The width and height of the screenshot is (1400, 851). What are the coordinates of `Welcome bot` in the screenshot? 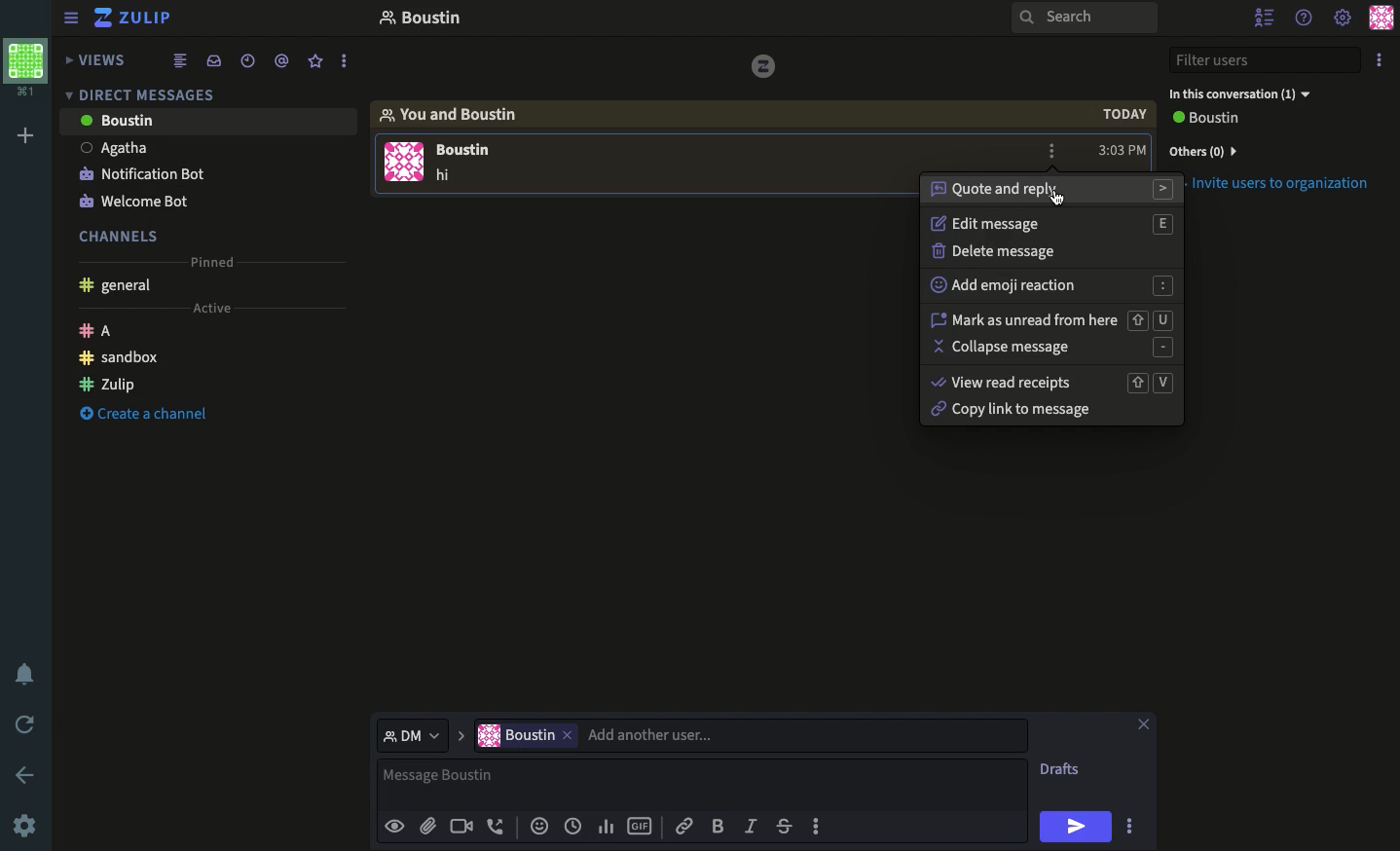 It's located at (139, 197).